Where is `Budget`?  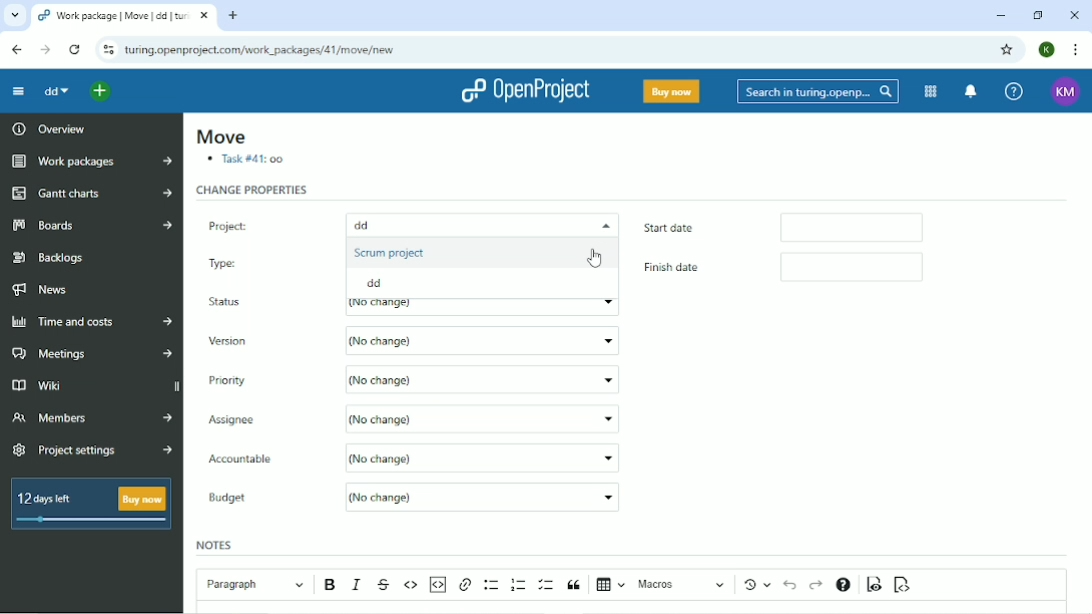
Budget is located at coordinates (232, 499).